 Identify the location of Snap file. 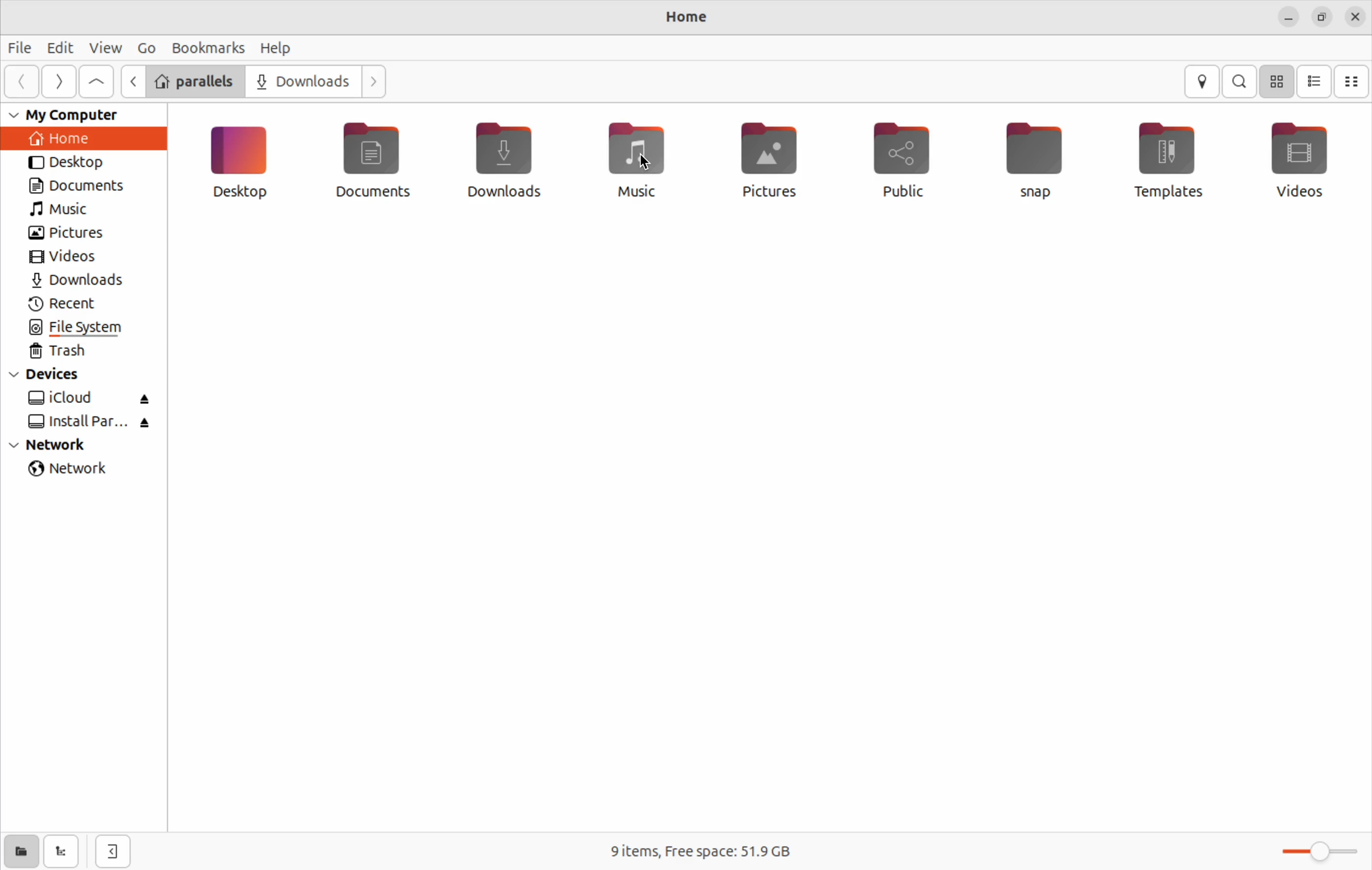
(1040, 162).